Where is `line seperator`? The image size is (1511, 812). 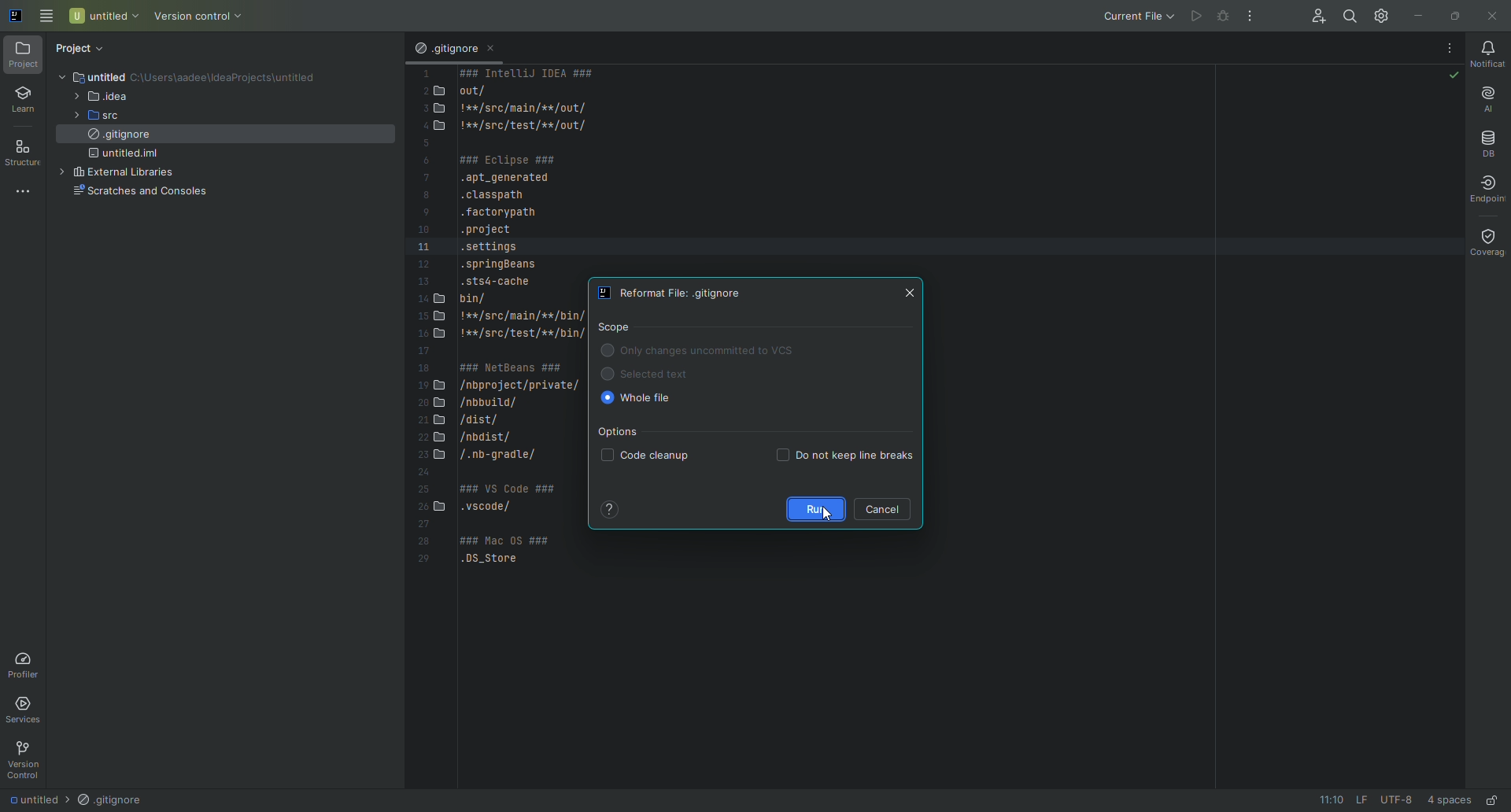
line seperator is located at coordinates (1357, 799).